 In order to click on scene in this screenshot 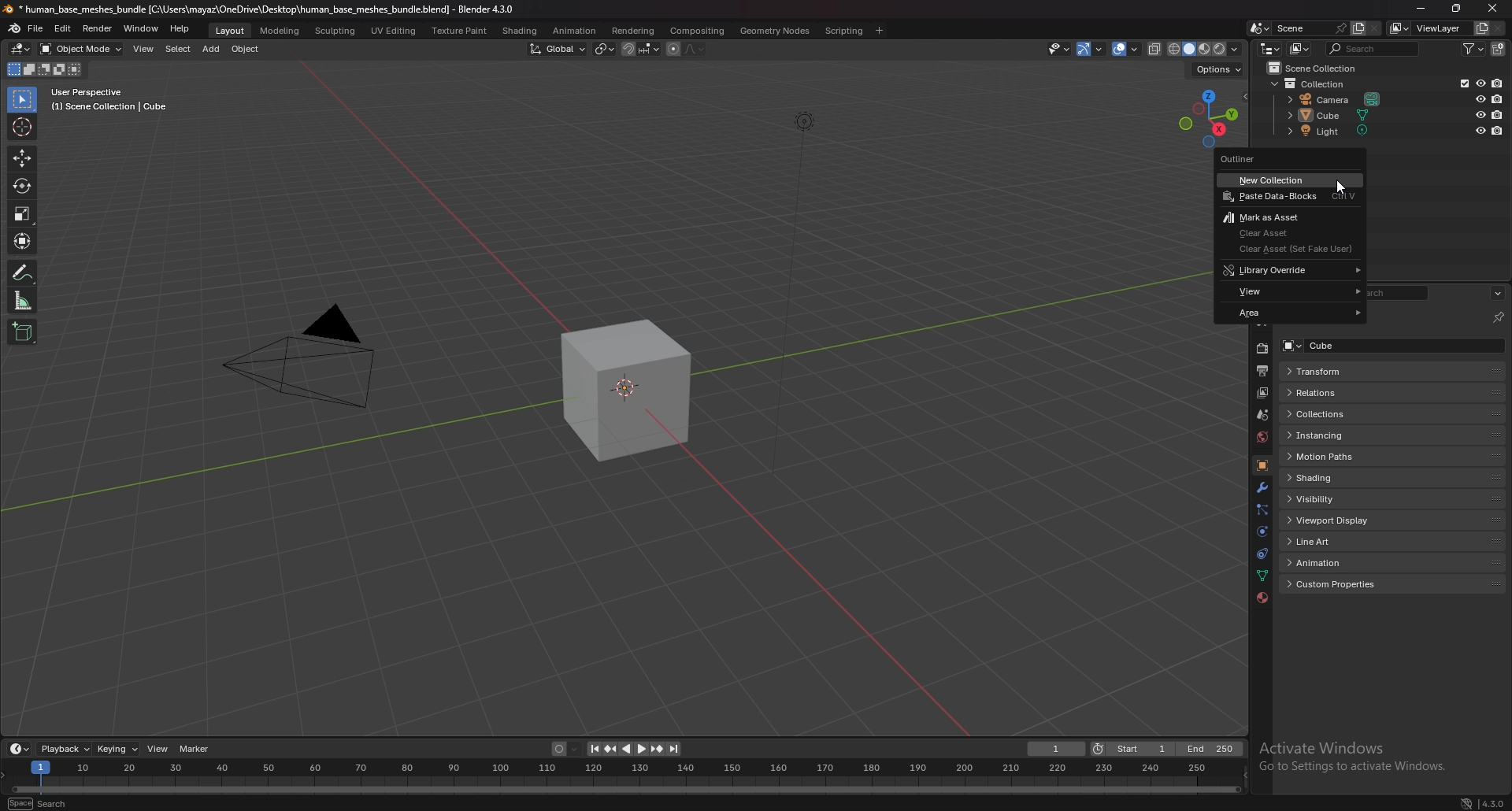, I will do `click(1263, 414)`.